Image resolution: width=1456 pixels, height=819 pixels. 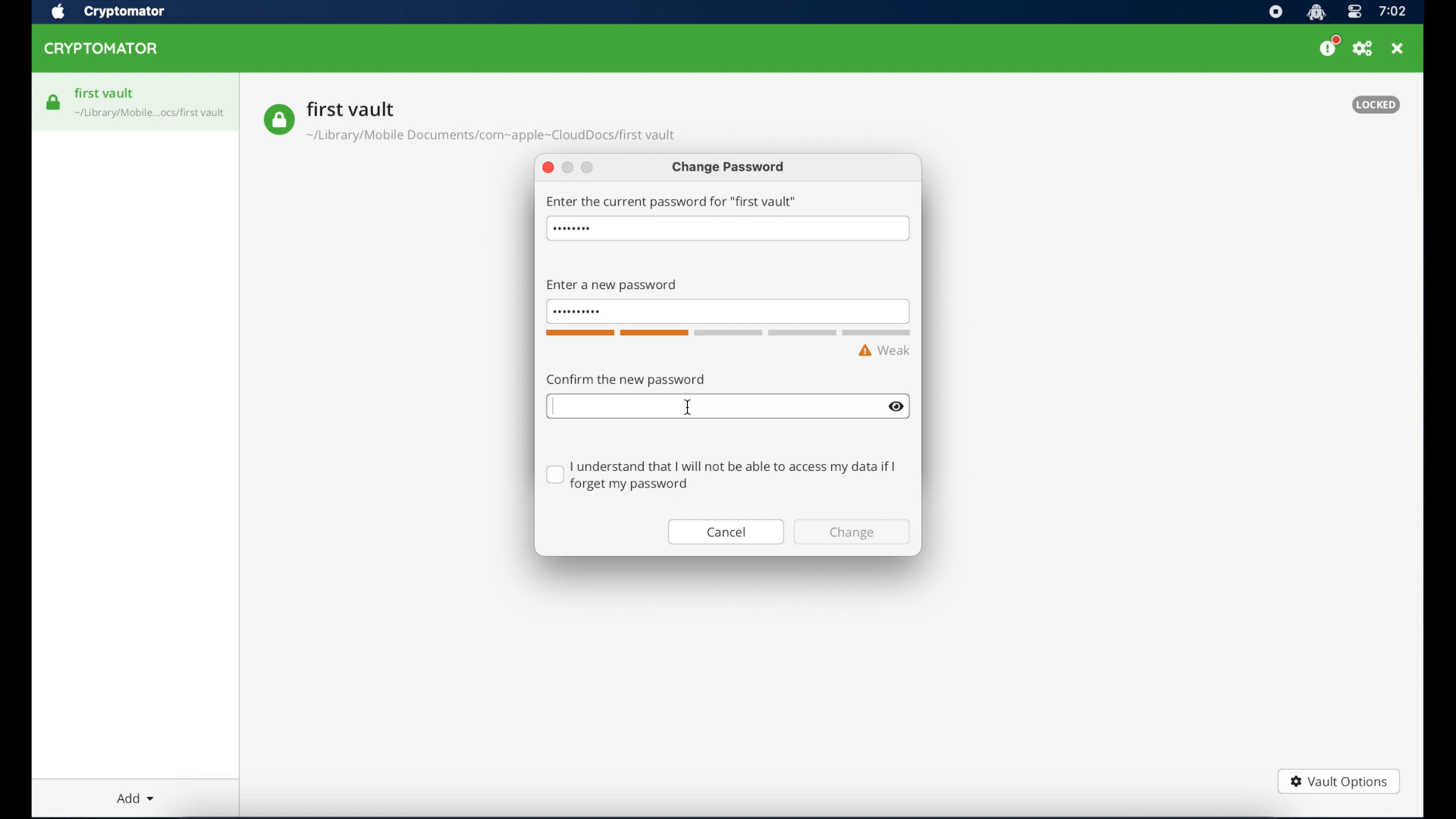 What do you see at coordinates (723, 475) in the screenshot?
I see `checkbox` at bounding box center [723, 475].